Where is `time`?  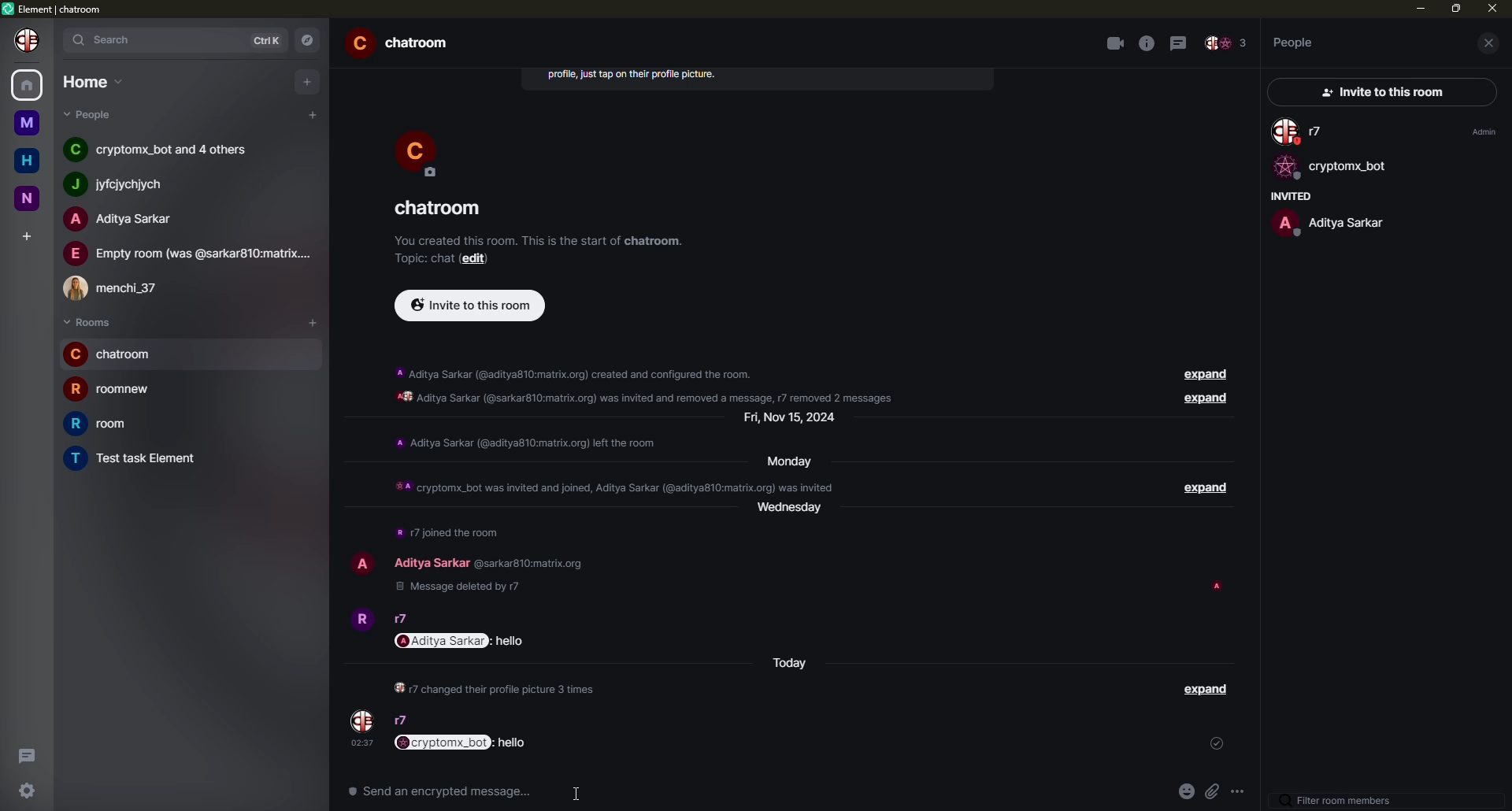 time is located at coordinates (362, 743).